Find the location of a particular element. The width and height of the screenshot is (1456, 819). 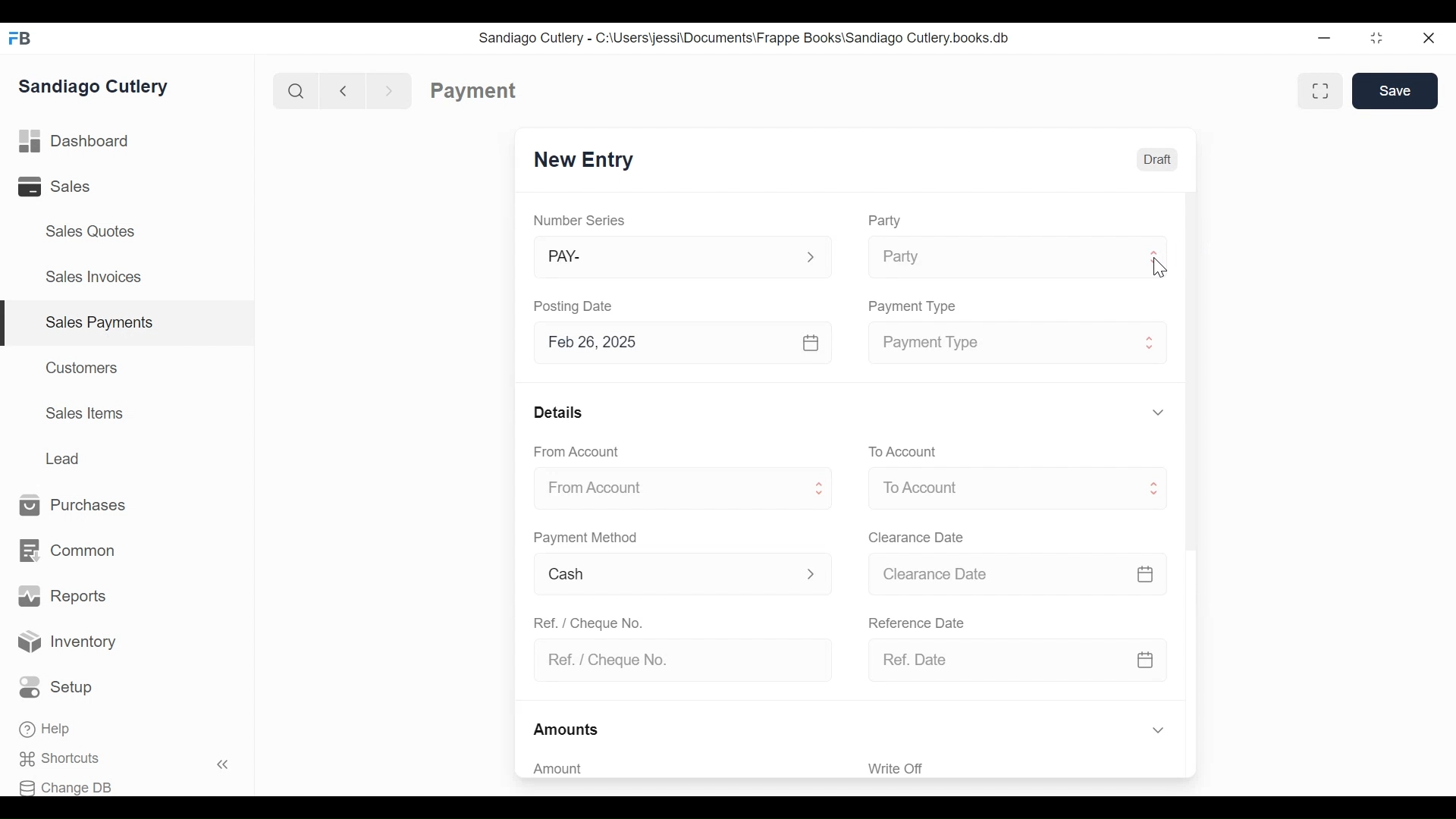

Toggle form and full width  is located at coordinates (1326, 88).